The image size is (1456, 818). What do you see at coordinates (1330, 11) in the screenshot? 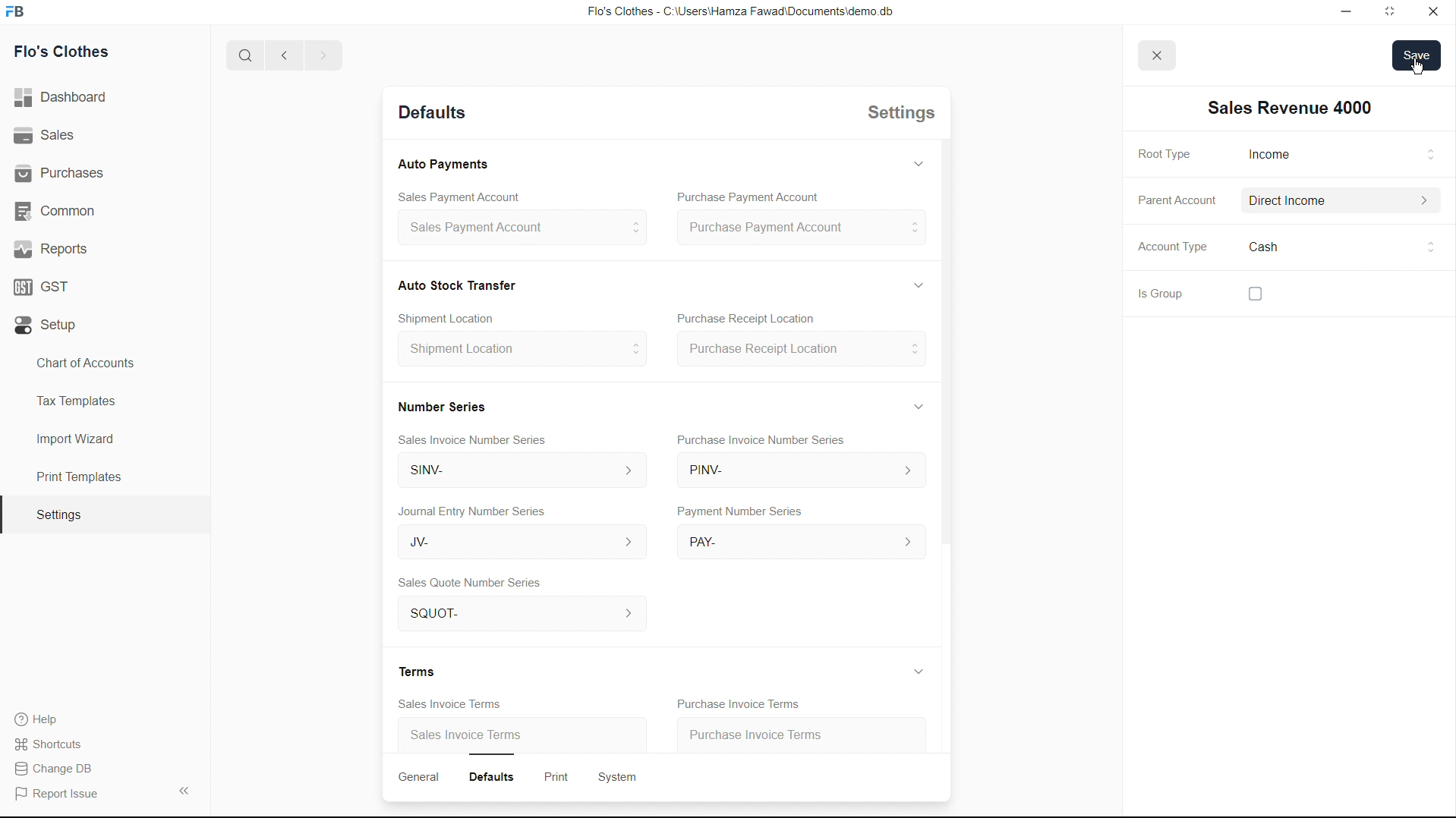
I see `Minimize` at bounding box center [1330, 11].